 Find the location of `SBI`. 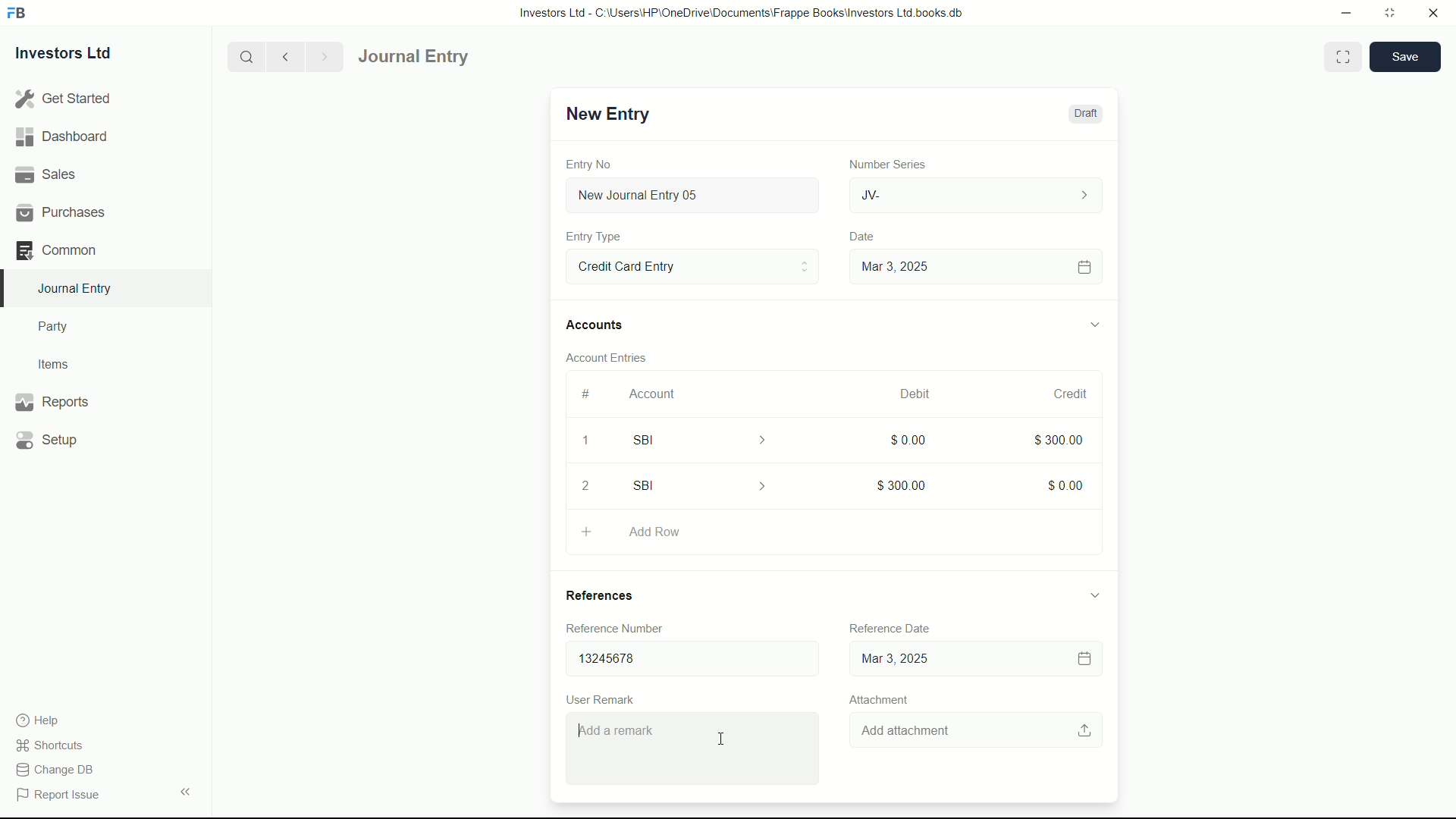

SBI is located at coordinates (710, 439).